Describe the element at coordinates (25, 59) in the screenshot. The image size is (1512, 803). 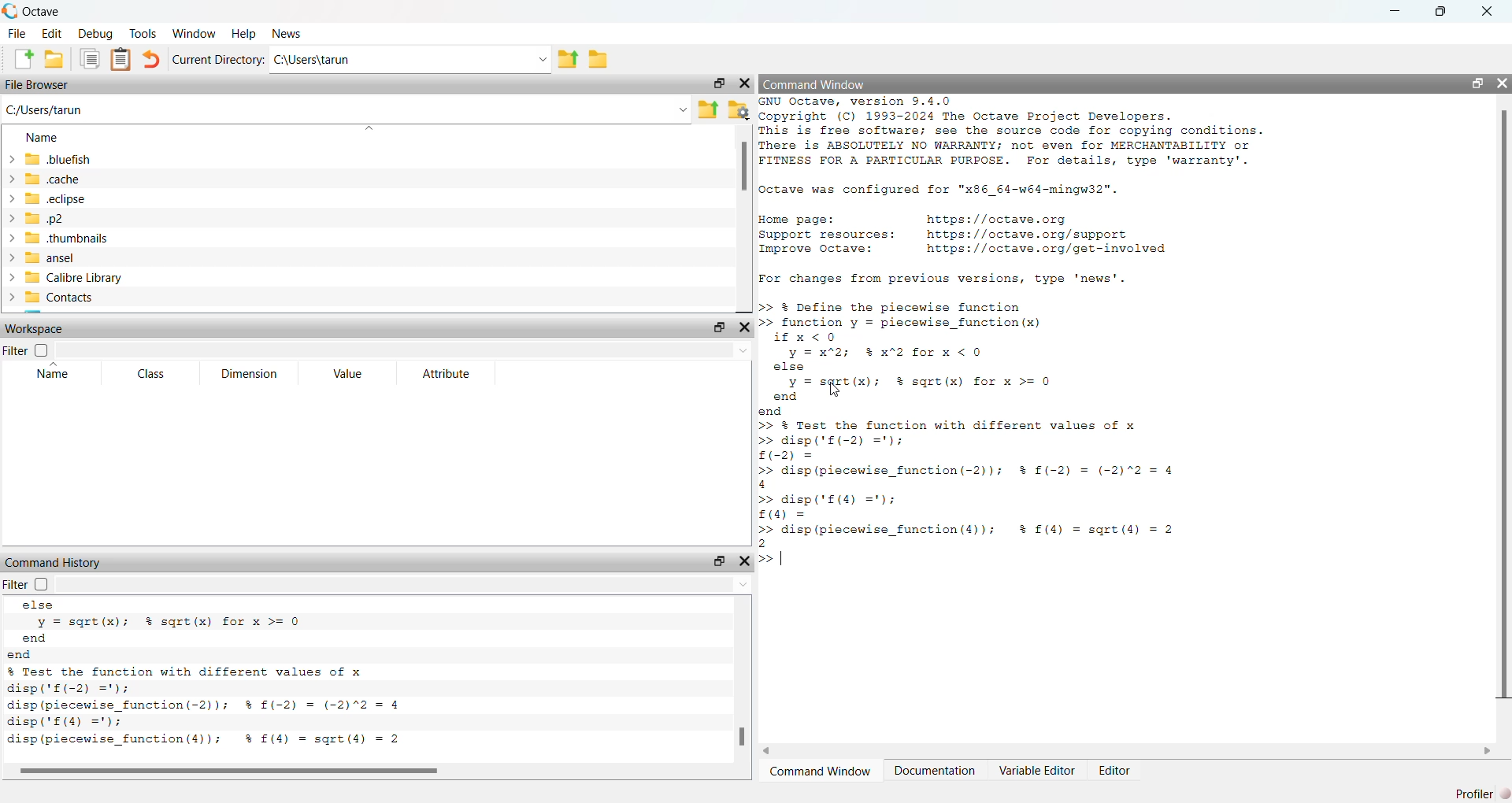
I see `New script` at that location.